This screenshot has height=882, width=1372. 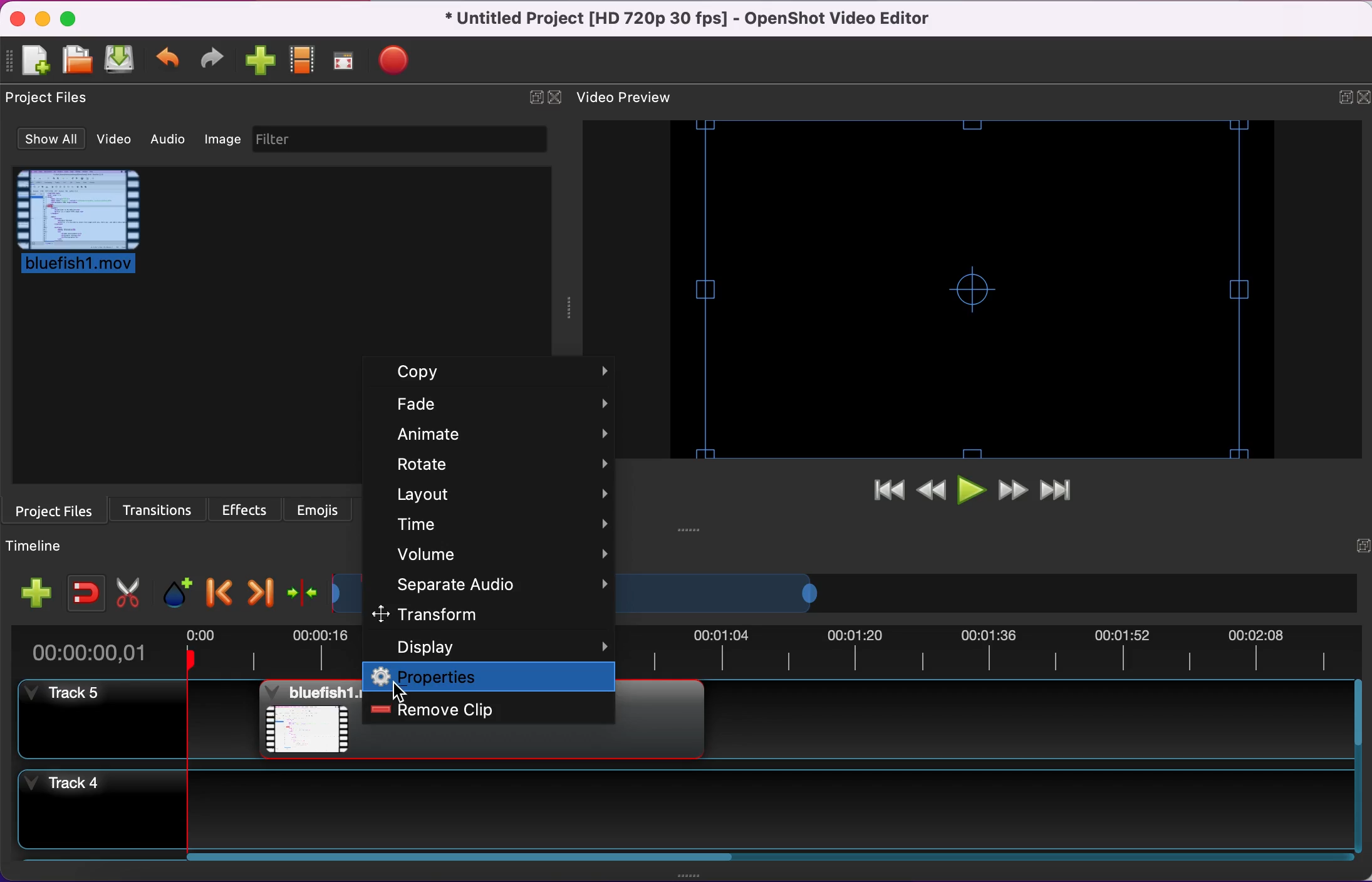 I want to click on fast forward, so click(x=1009, y=489).